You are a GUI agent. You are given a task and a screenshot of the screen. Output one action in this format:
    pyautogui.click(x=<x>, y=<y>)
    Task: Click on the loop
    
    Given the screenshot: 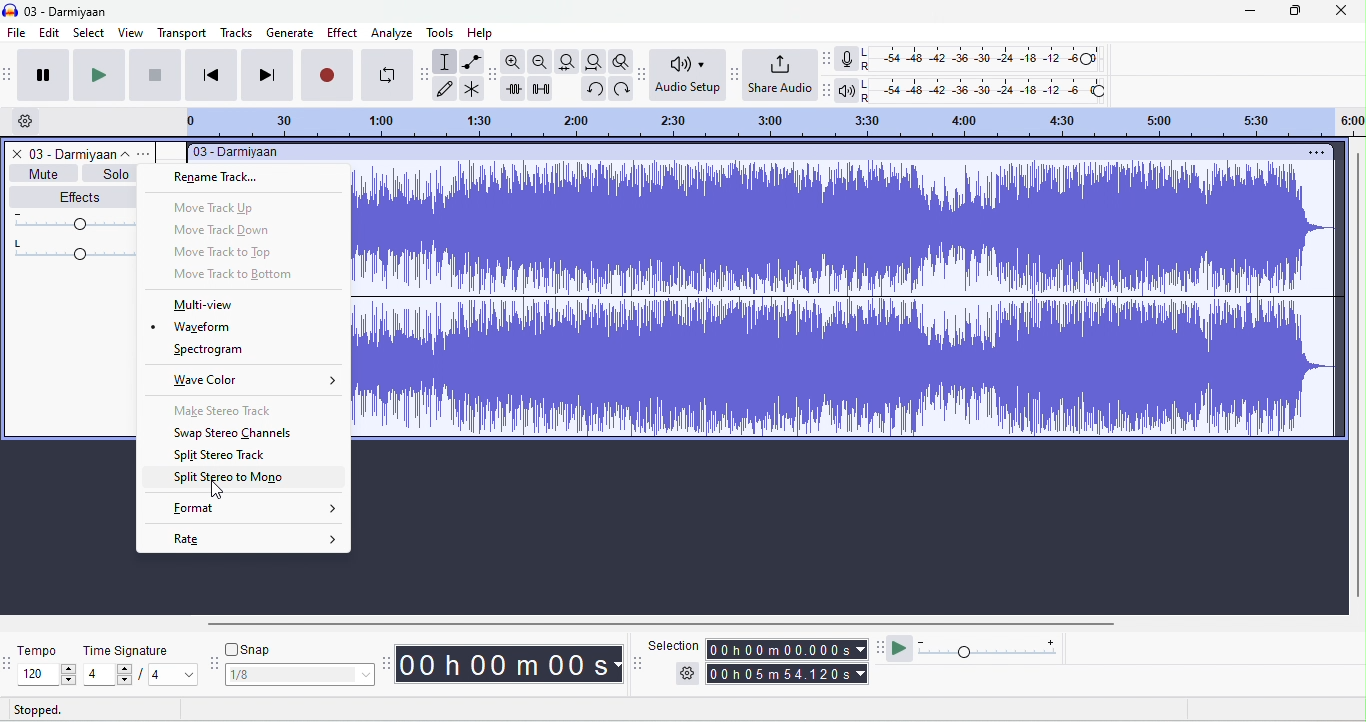 What is the action you would take?
    pyautogui.click(x=385, y=74)
    